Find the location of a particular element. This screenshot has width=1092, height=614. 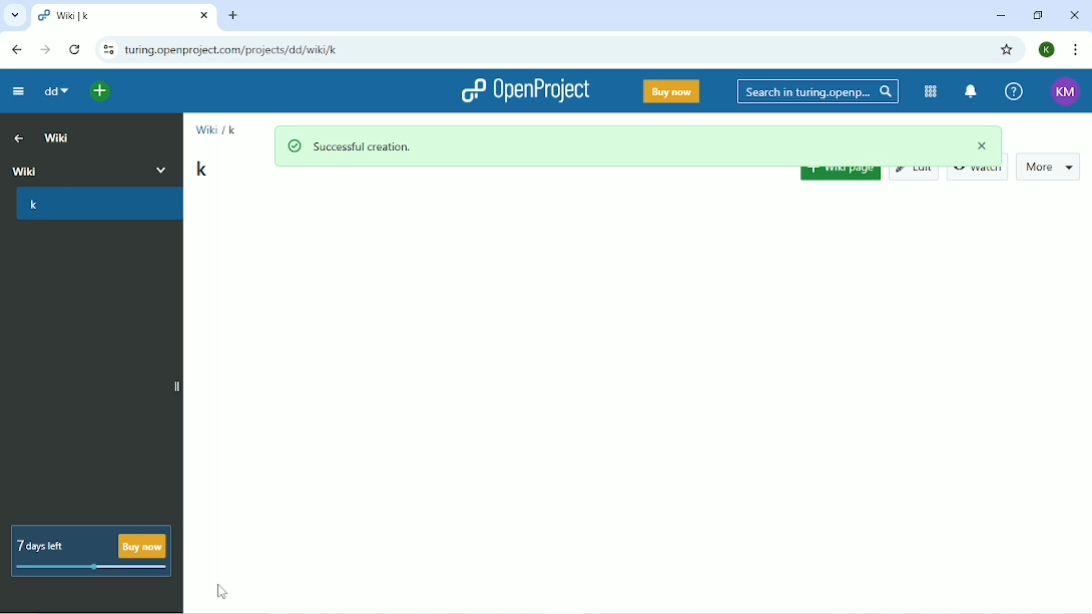

Buy now is located at coordinates (673, 92).